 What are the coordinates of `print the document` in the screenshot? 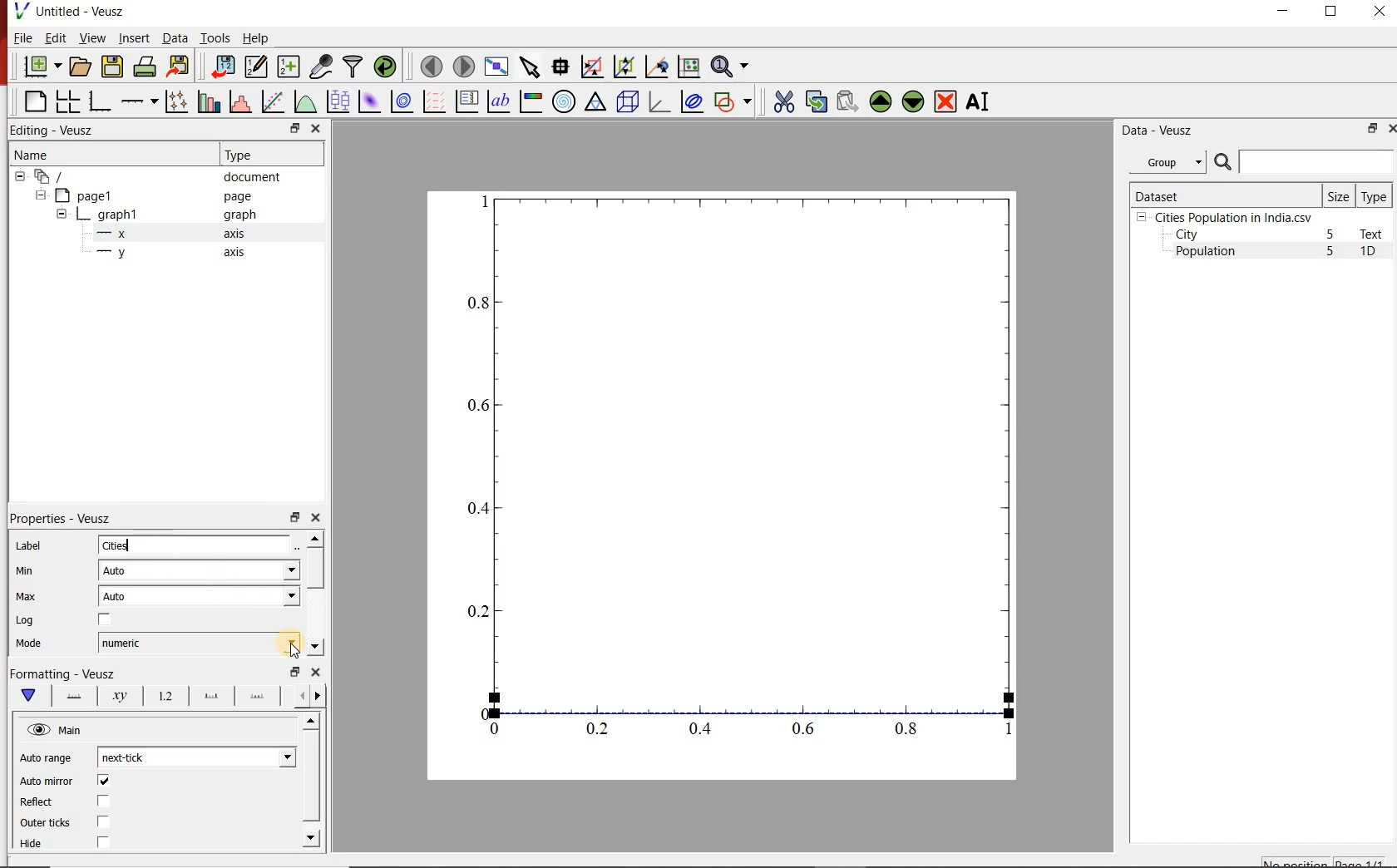 It's located at (144, 67).